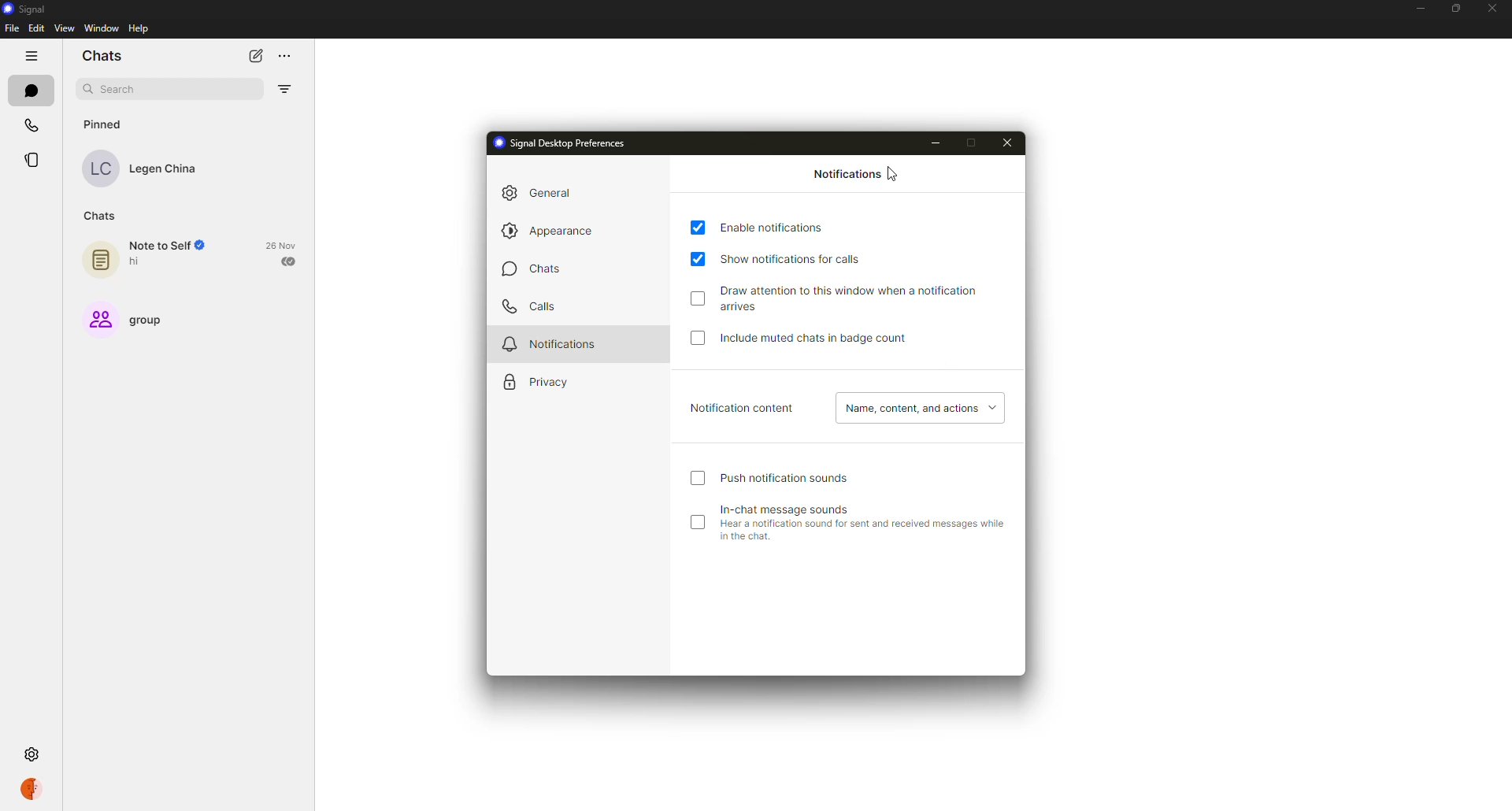  I want to click on show notifications for calls, so click(806, 260).